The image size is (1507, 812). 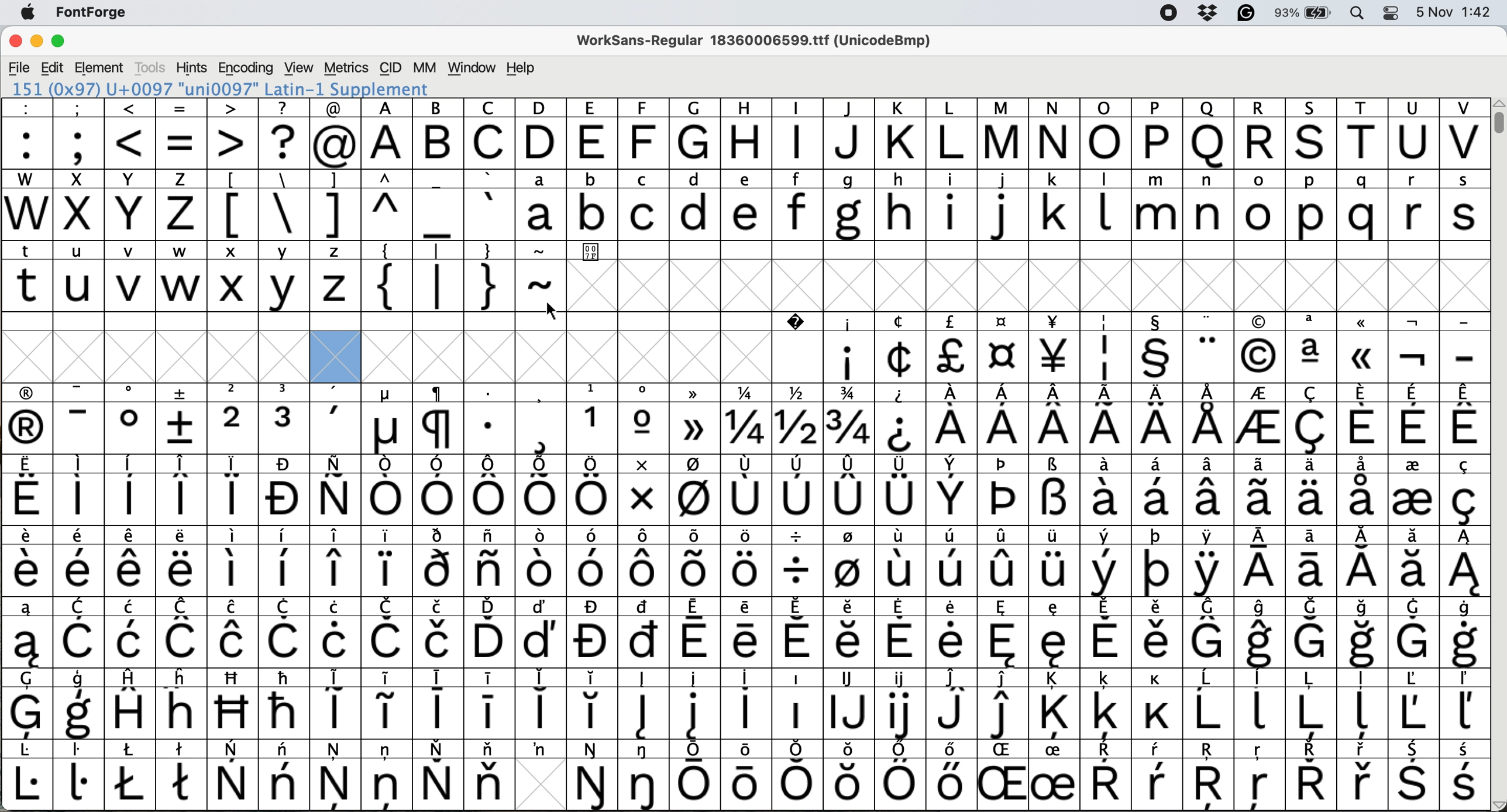 I want to click on symbol, so click(x=337, y=632).